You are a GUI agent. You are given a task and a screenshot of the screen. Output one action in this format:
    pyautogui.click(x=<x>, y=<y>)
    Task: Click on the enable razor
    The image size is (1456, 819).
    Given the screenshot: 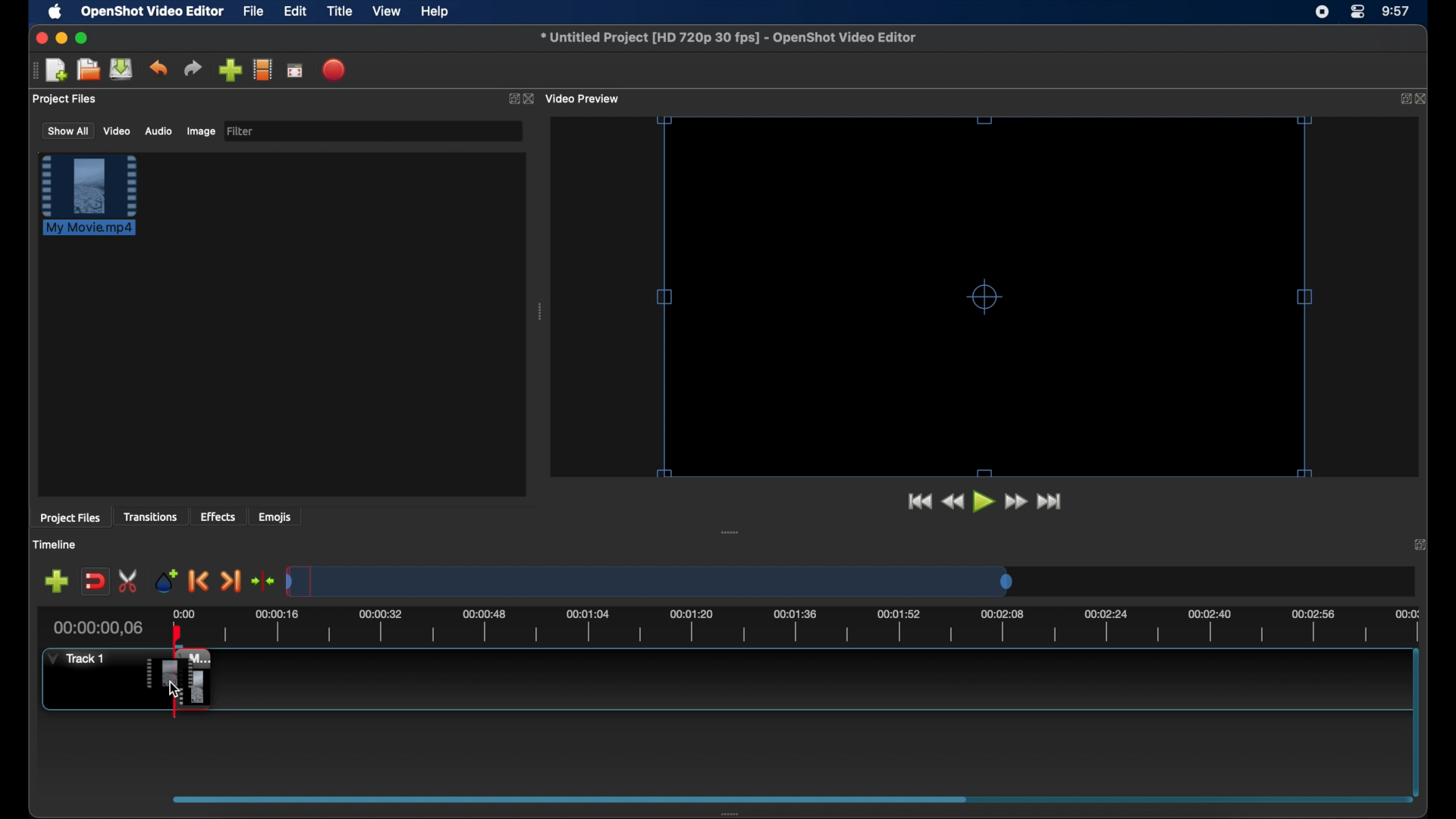 What is the action you would take?
    pyautogui.click(x=129, y=582)
    